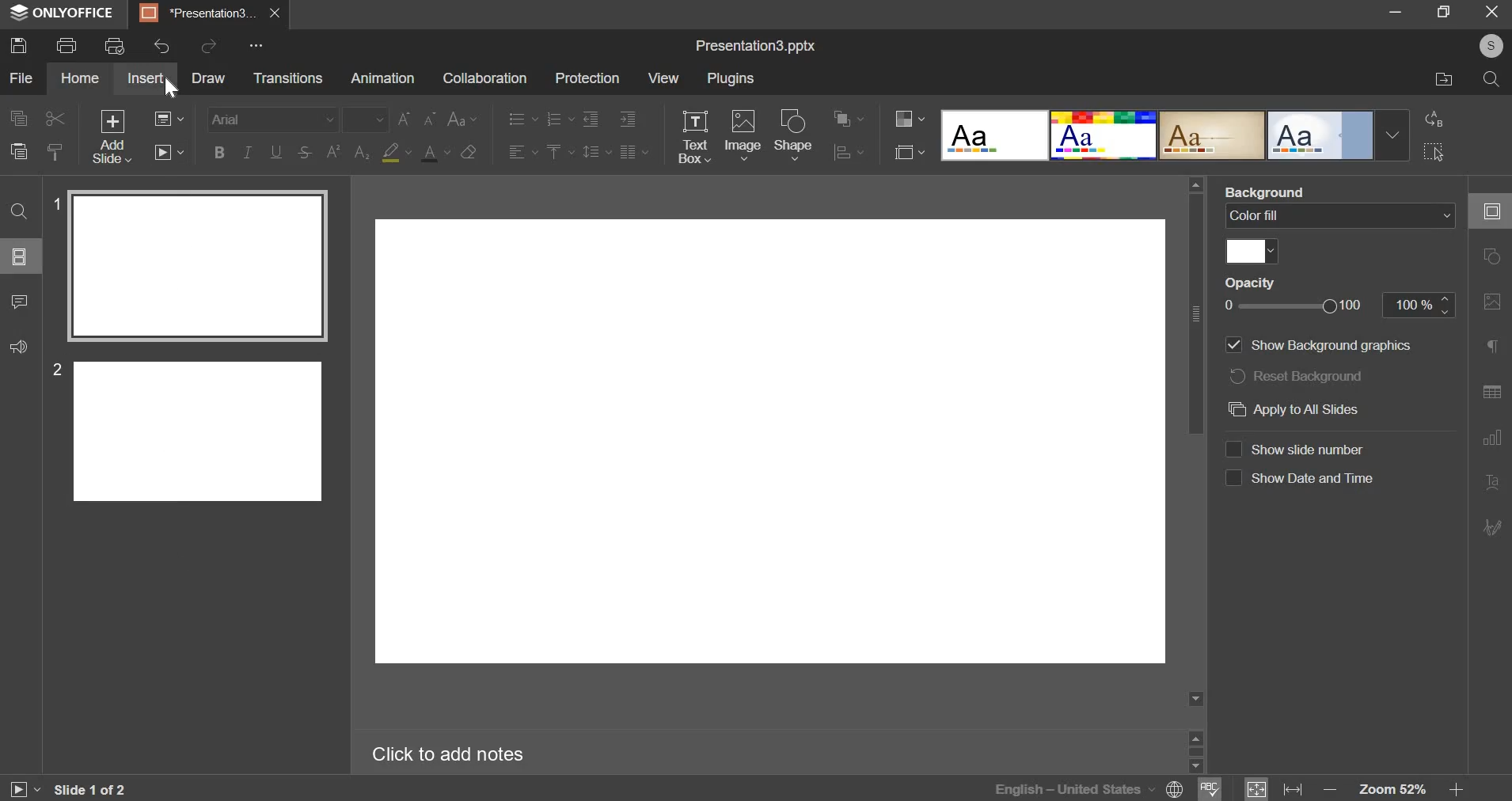 This screenshot has height=801, width=1512. I want to click on minimize, so click(1396, 11).